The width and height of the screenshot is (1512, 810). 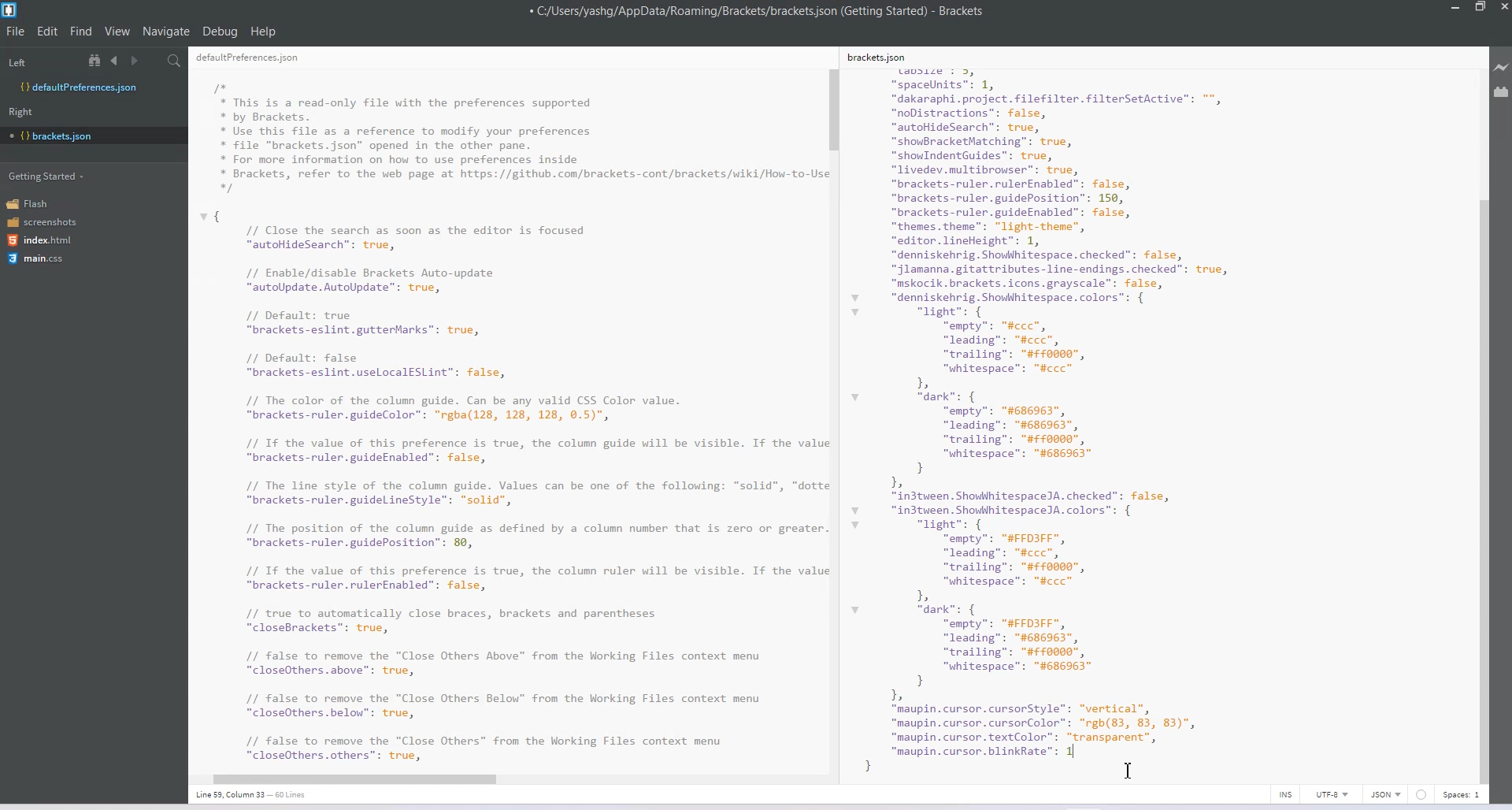 I want to click on Text Cursor, so click(x=1128, y=770).